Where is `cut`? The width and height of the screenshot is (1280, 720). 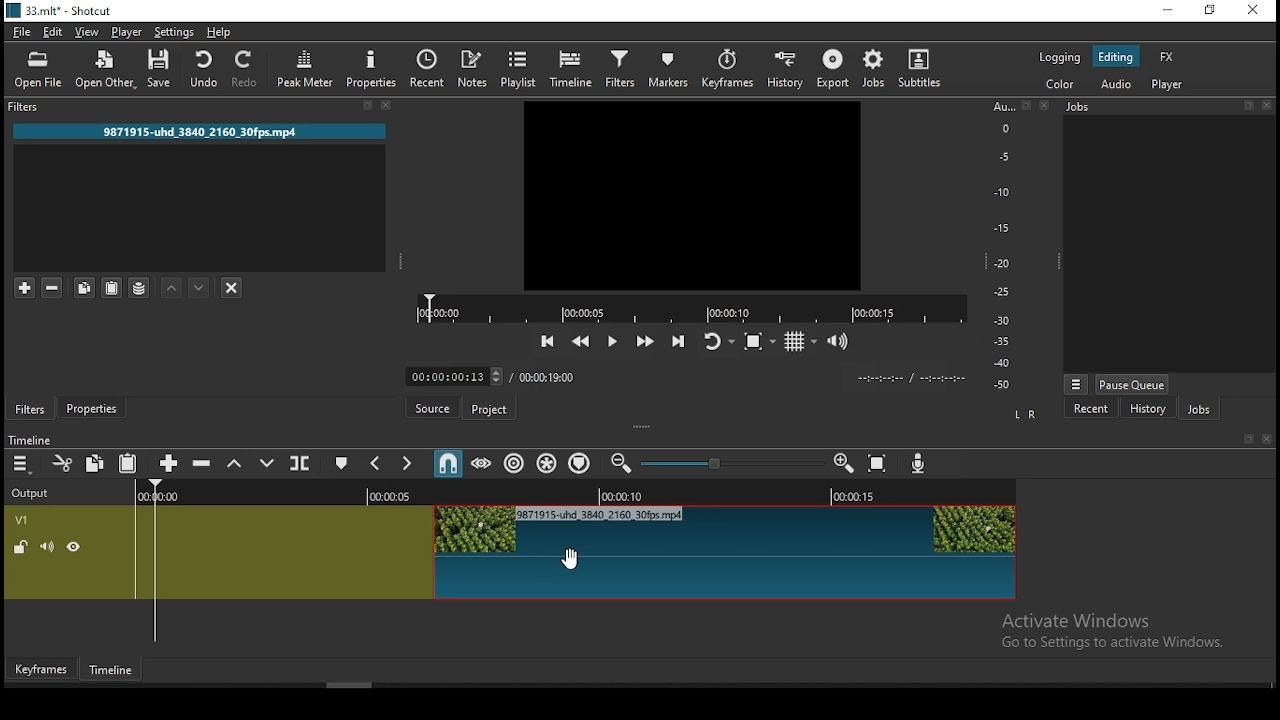 cut is located at coordinates (61, 463).